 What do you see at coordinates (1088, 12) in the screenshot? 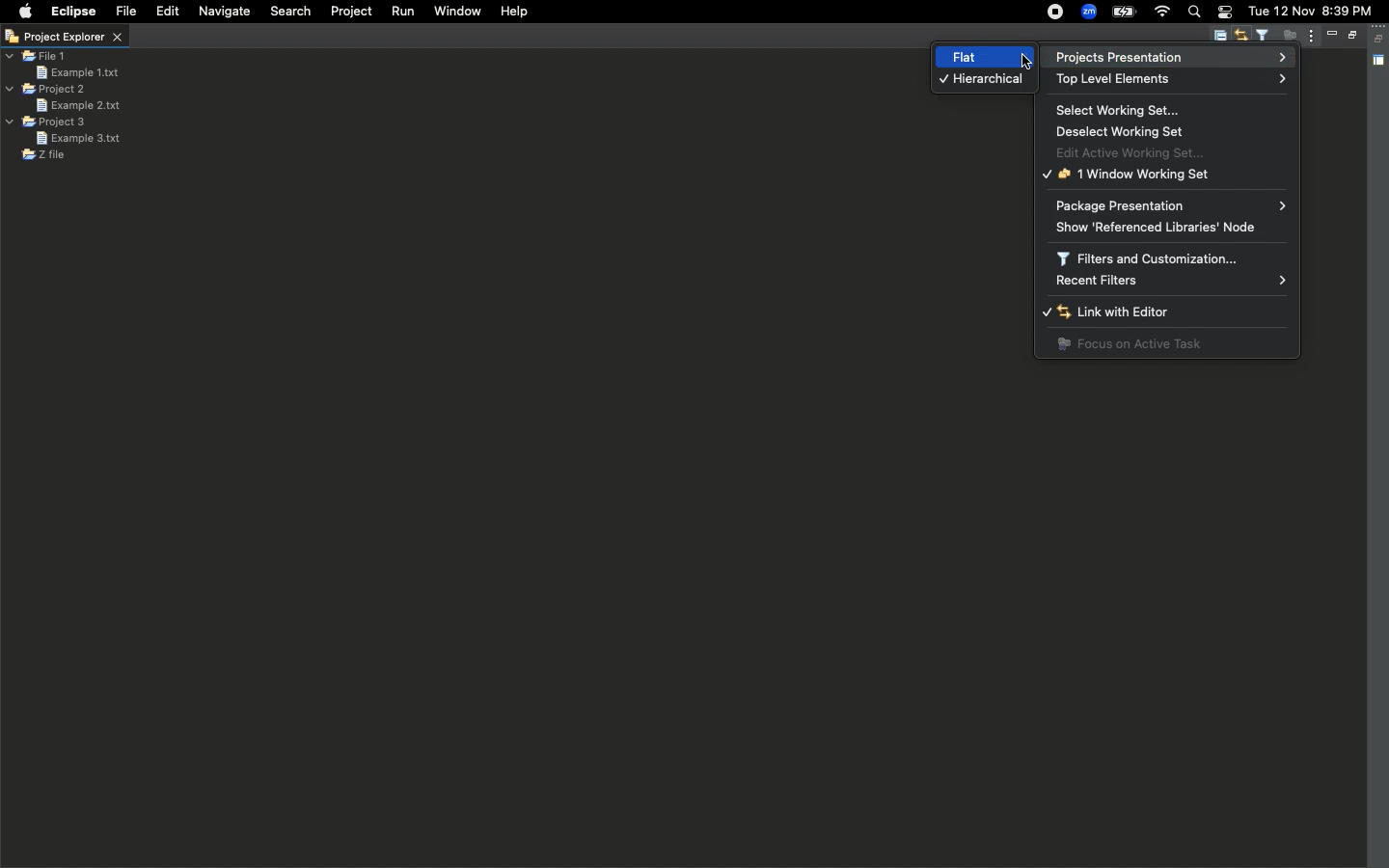
I see `Zoom` at bounding box center [1088, 12].